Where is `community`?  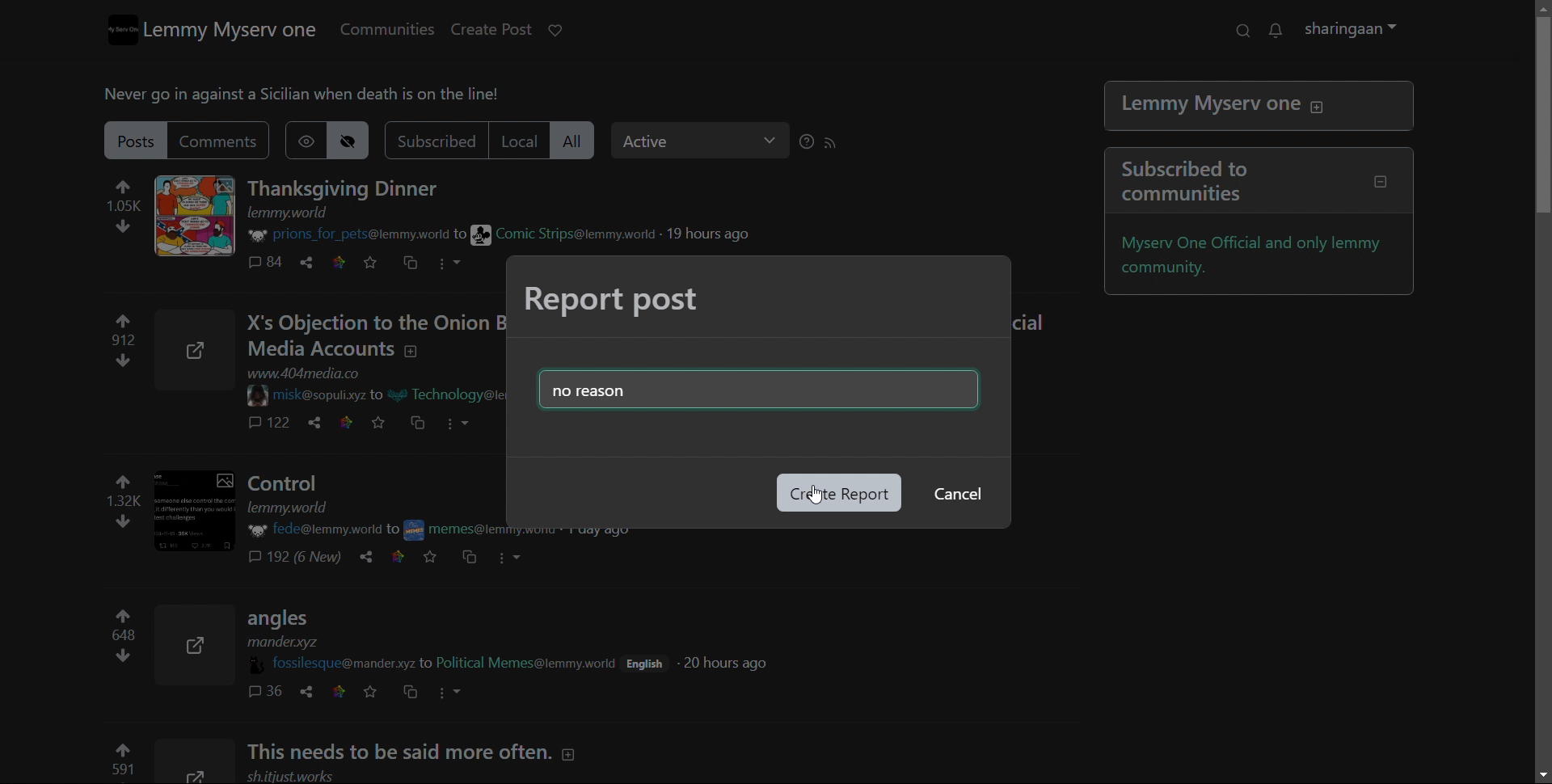
community is located at coordinates (533, 663).